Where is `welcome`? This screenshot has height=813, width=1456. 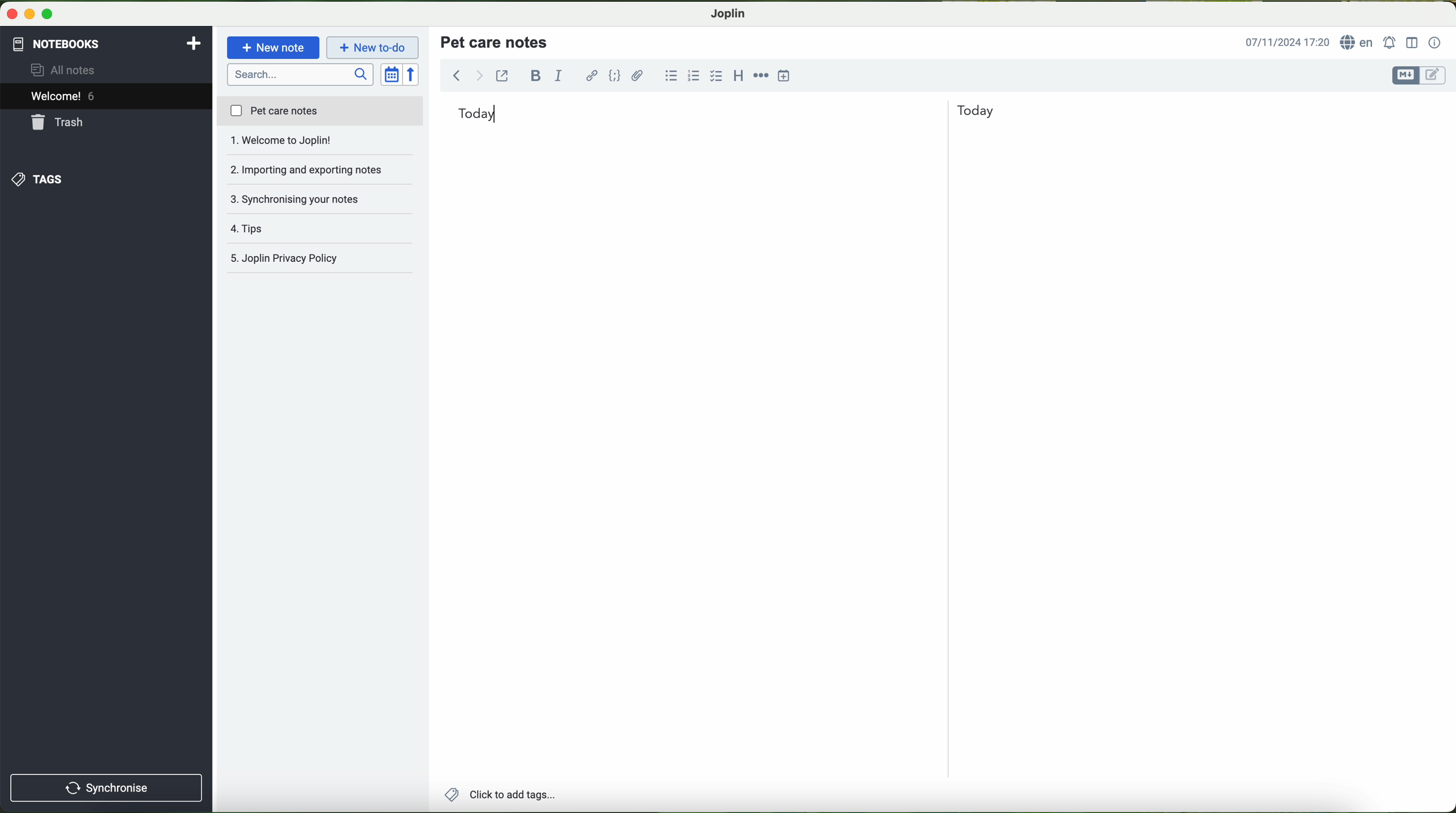
welcome is located at coordinates (106, 98).